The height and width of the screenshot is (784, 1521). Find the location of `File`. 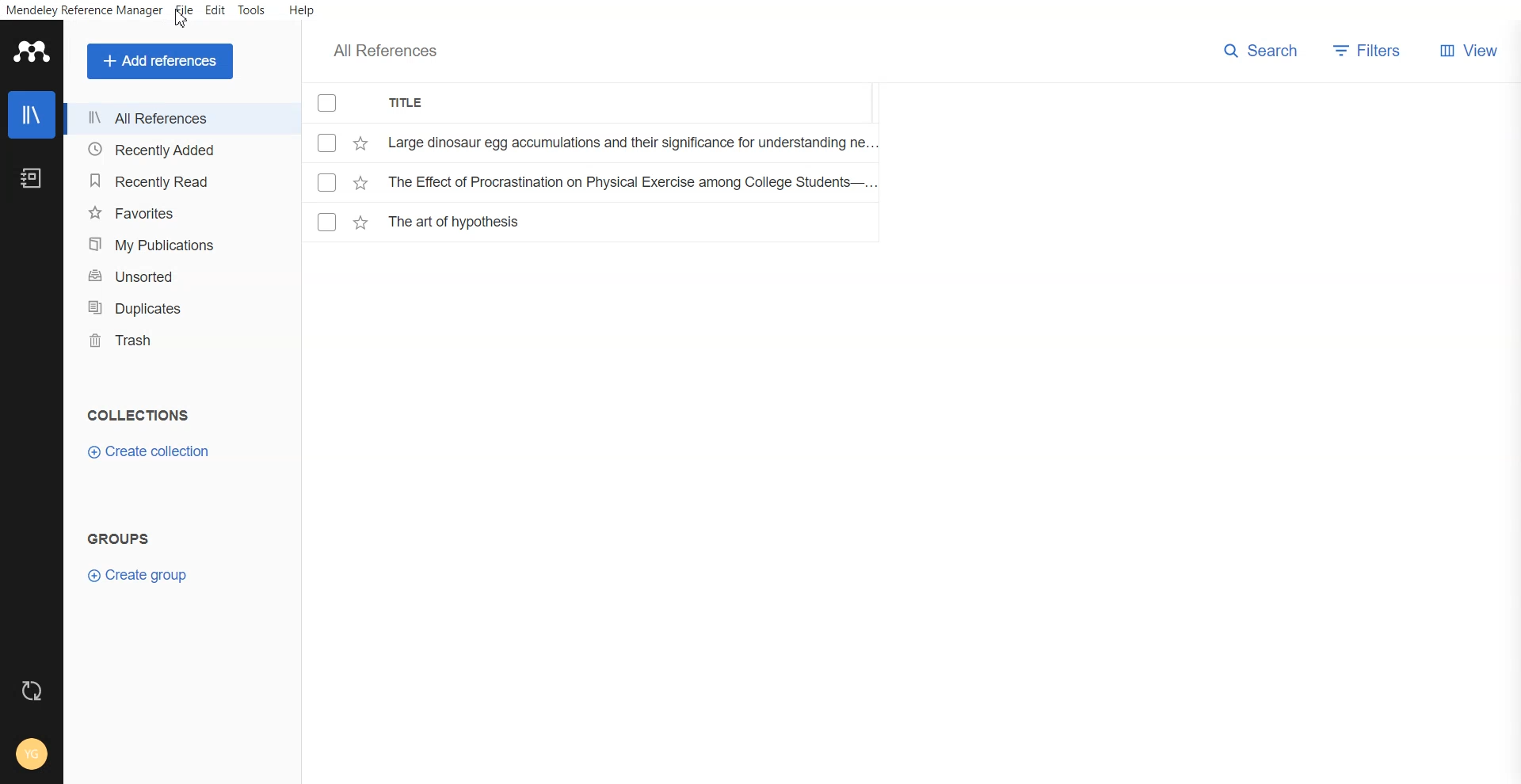

File is located at coordinates (185, 10).